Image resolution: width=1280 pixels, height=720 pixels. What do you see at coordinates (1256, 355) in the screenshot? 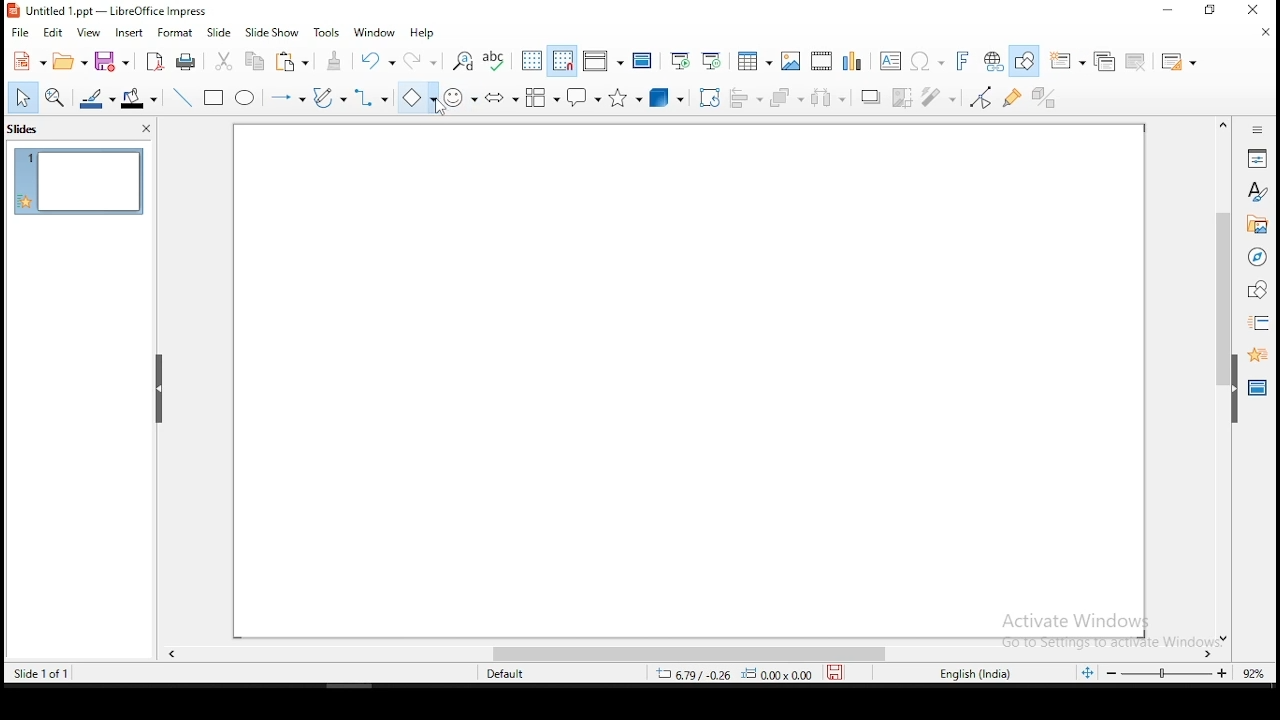
I see `animation` at bounding box center [1256, 355].